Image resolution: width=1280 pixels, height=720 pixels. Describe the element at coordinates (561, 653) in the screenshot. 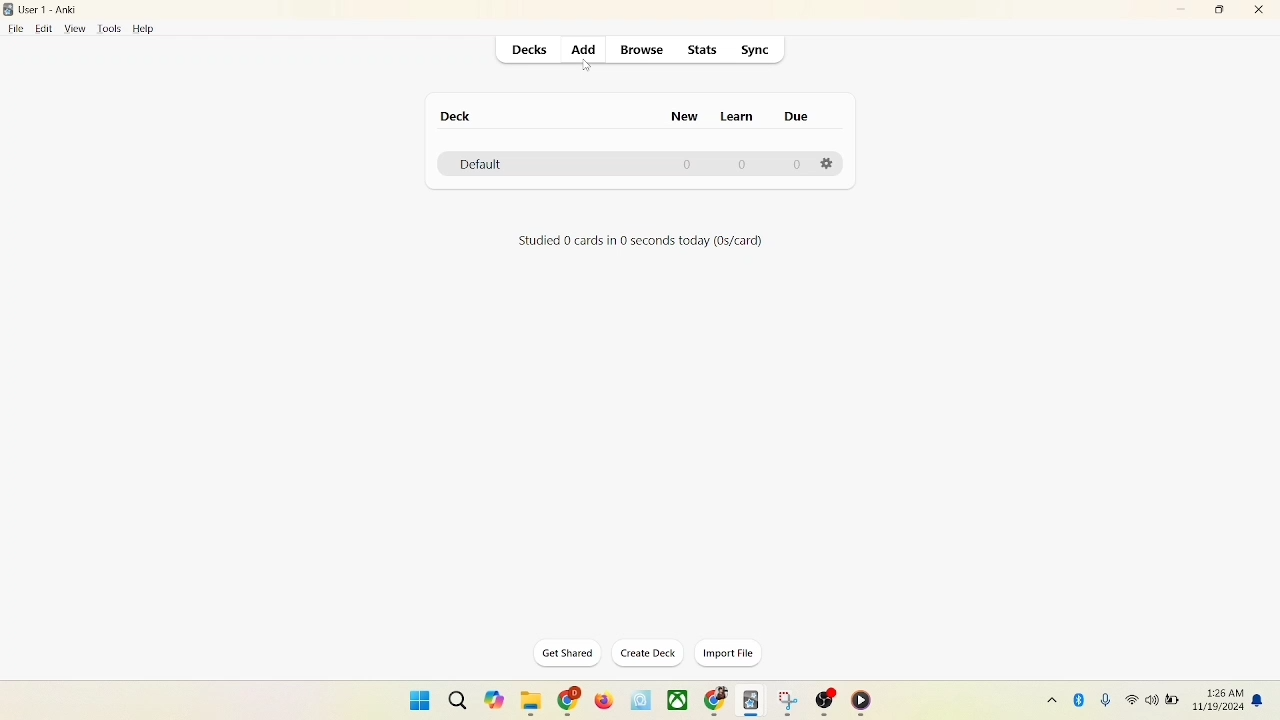

I see `get shared` at that location.